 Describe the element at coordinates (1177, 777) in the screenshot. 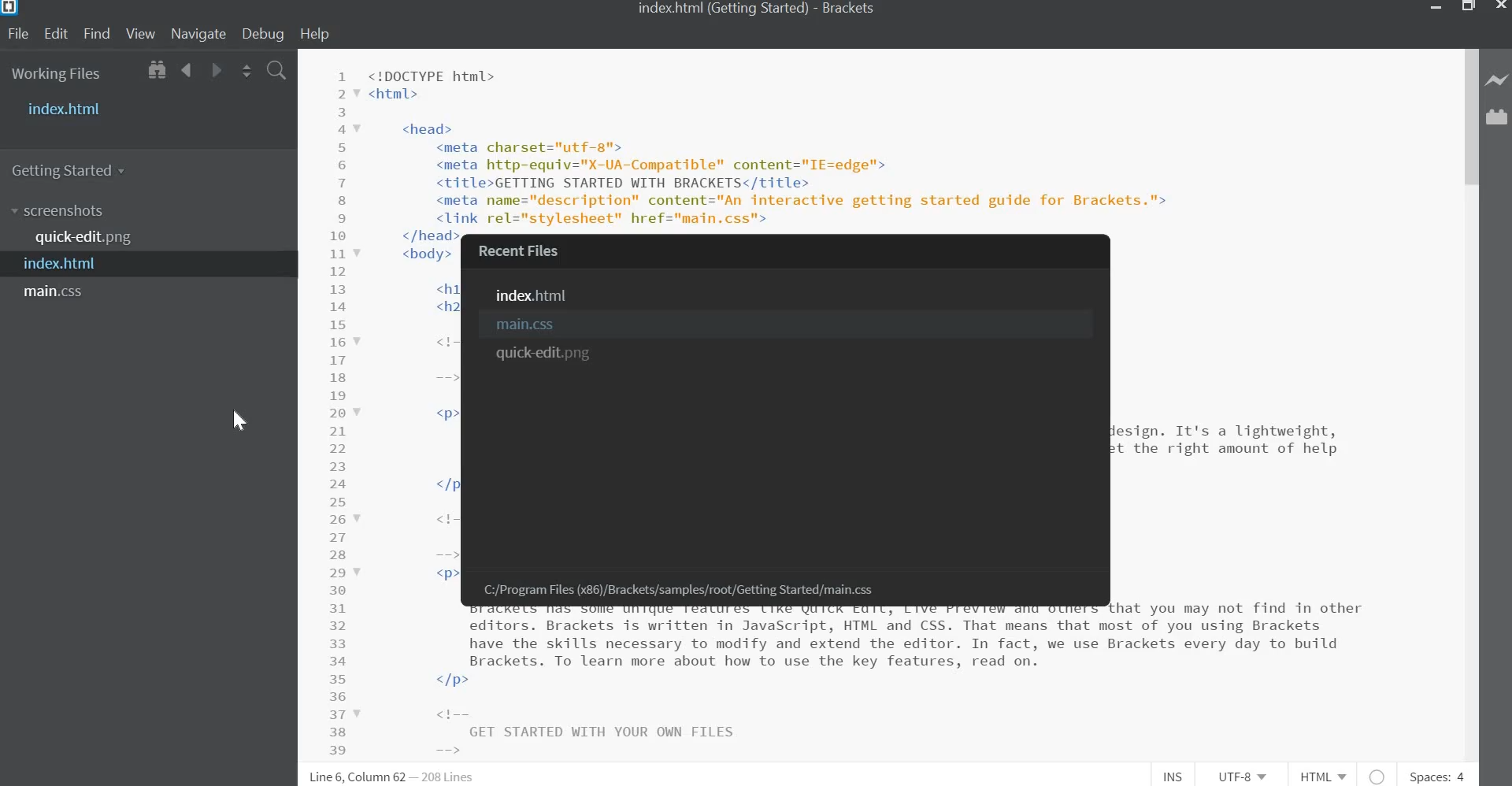

I see `Insert` at that location.